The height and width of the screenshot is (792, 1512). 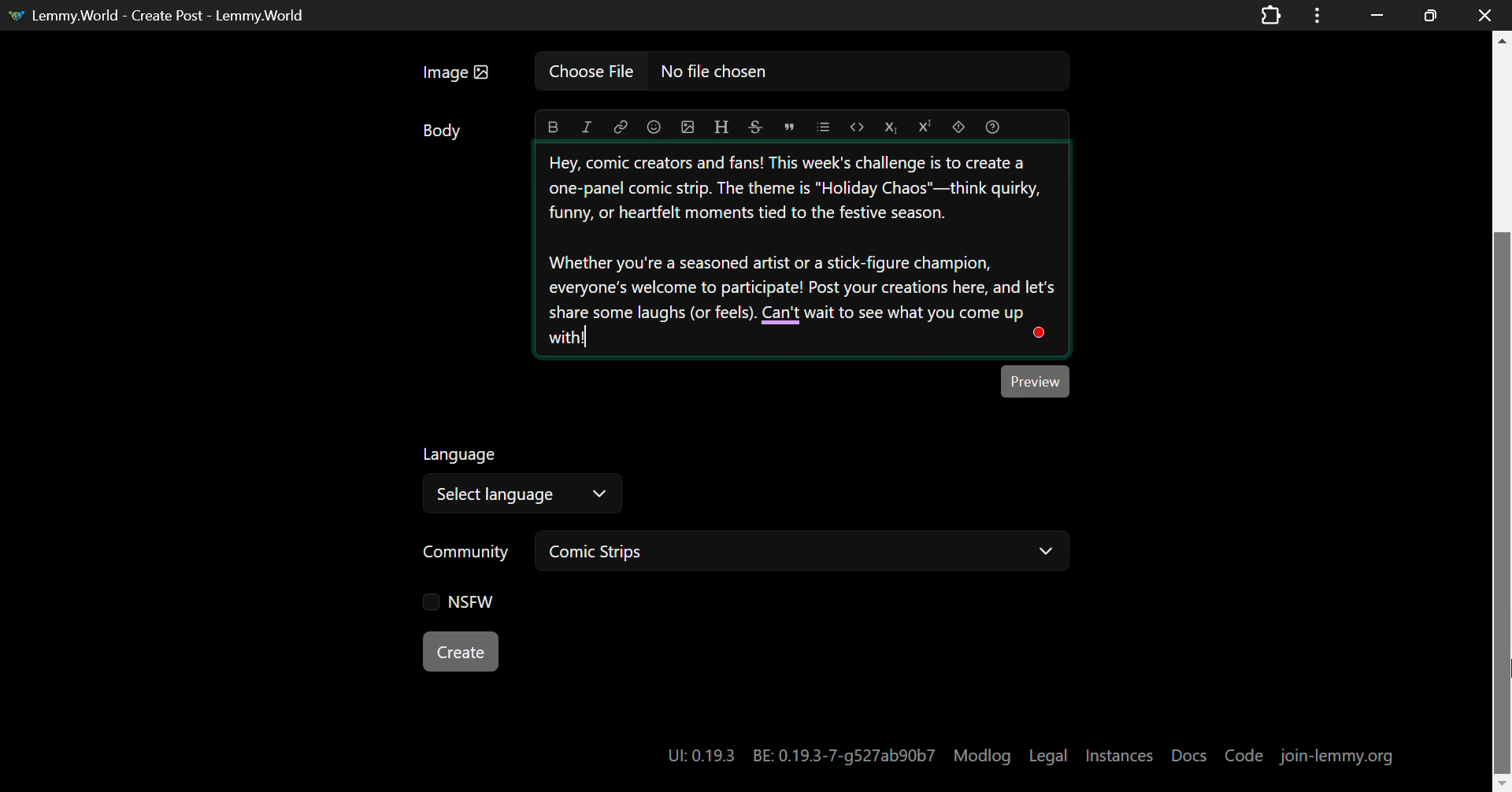 I want to click on Body, so click(x=443, y=134).